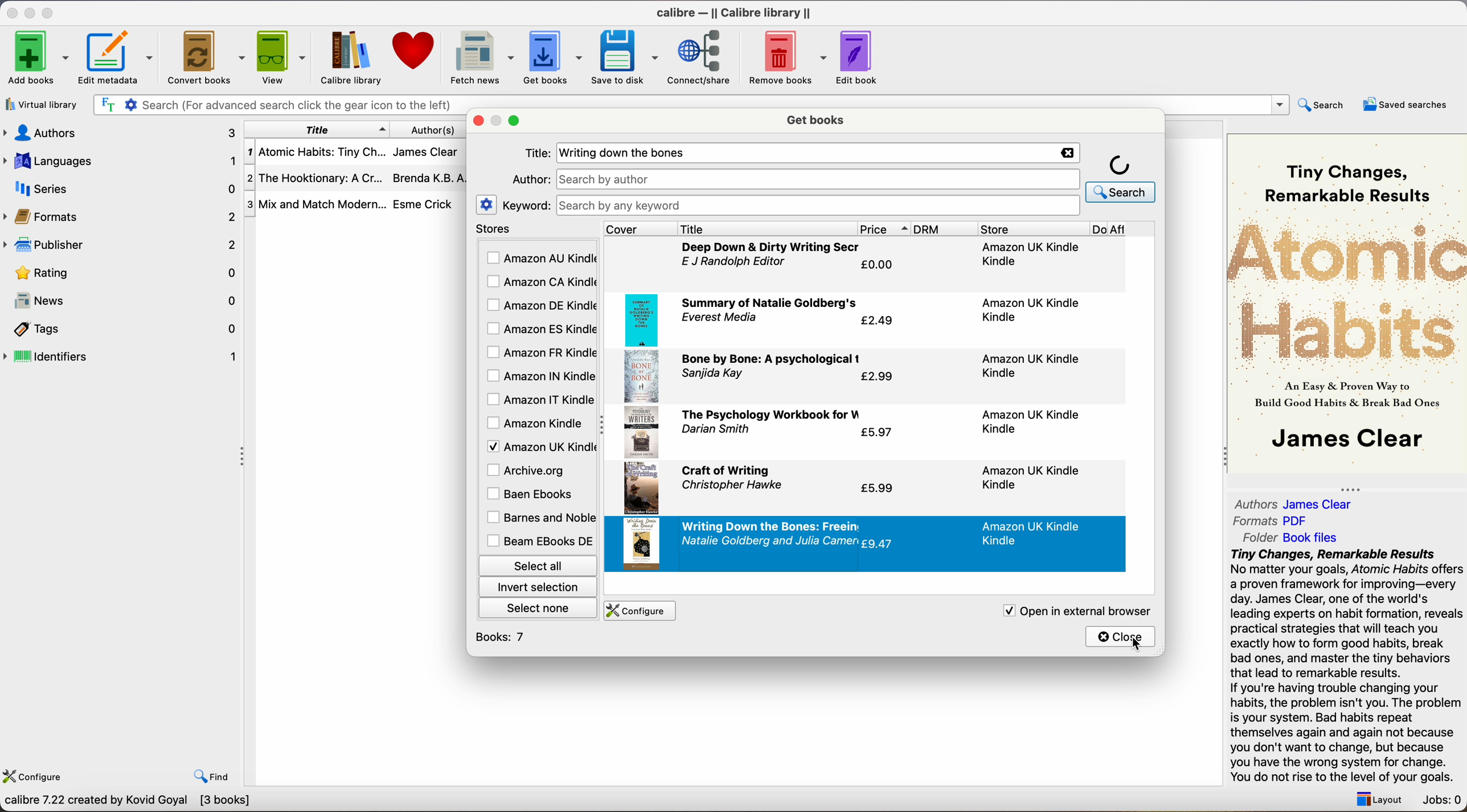  I want to click on synopsis, so click(1349, 666).